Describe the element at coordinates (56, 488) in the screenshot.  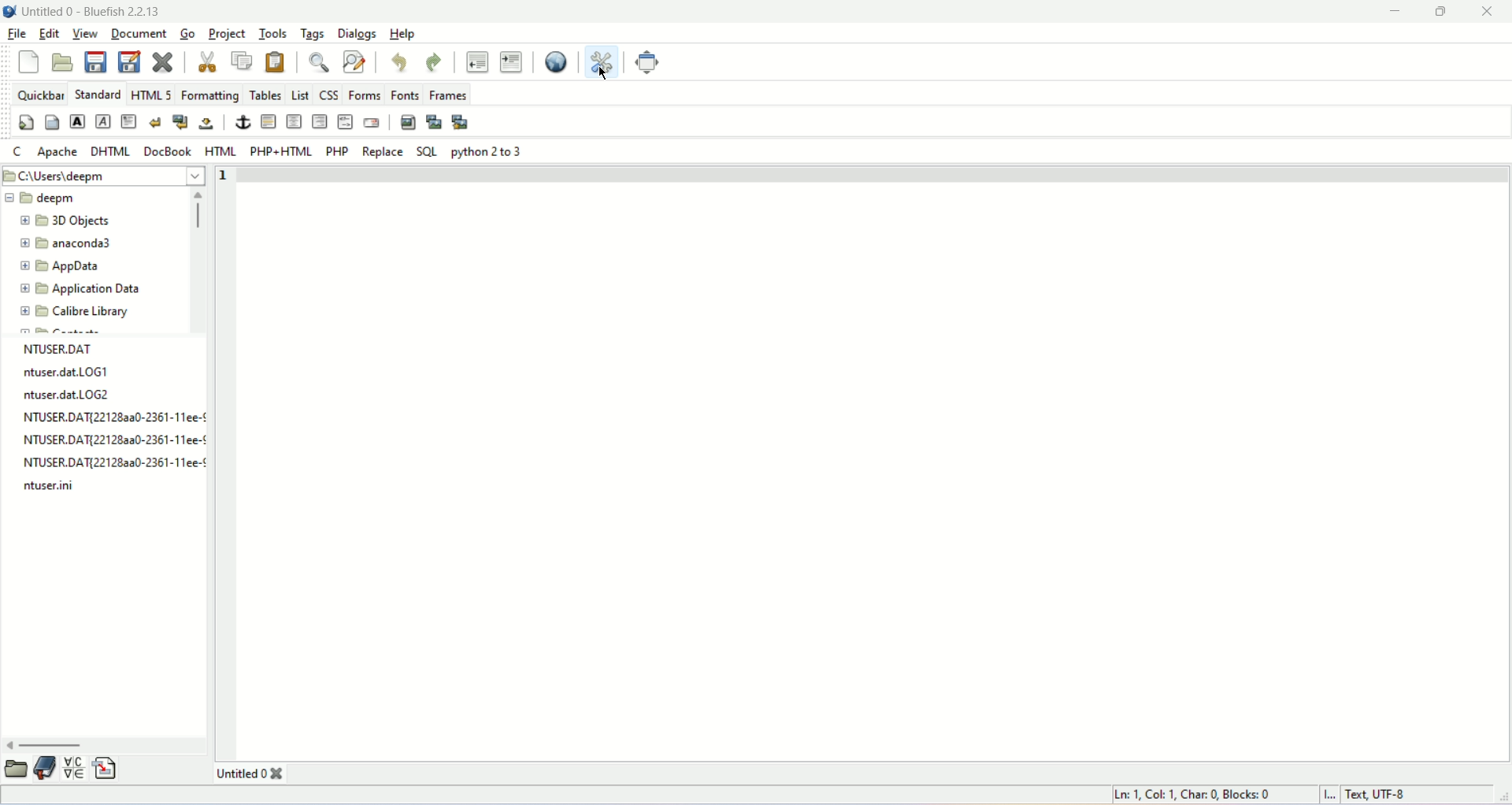
I see `ntuser.ini` at that location.